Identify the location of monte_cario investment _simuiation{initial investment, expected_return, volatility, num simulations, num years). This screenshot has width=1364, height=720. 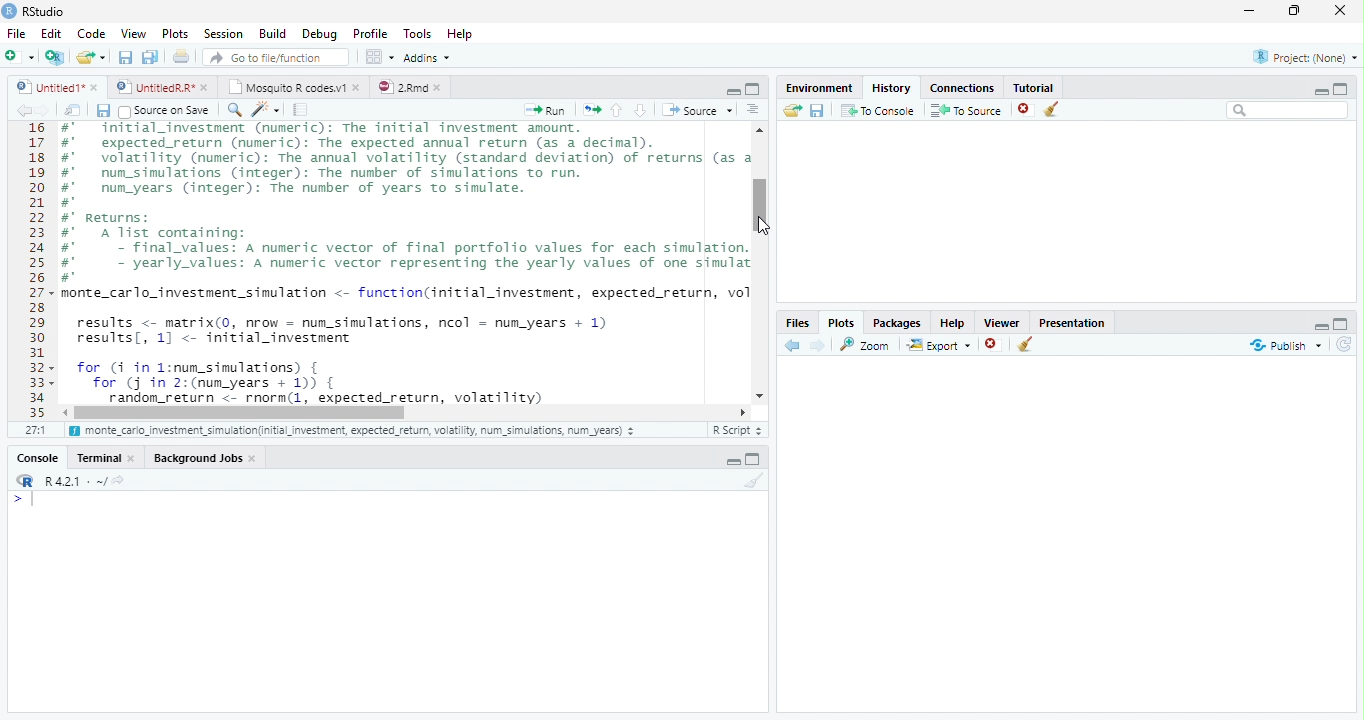
(354, 432).